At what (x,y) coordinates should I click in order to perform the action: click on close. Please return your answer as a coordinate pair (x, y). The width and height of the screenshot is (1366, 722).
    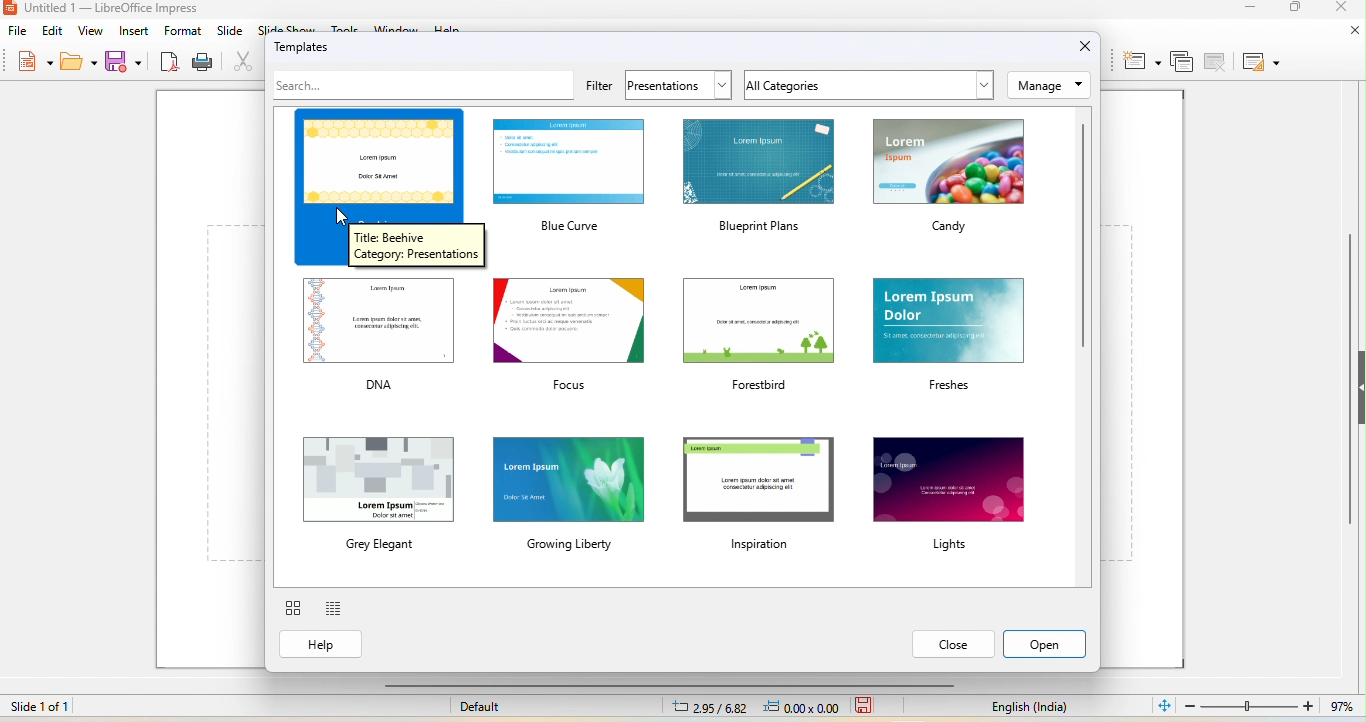
    Looking at the image, I should click on (953, 644).